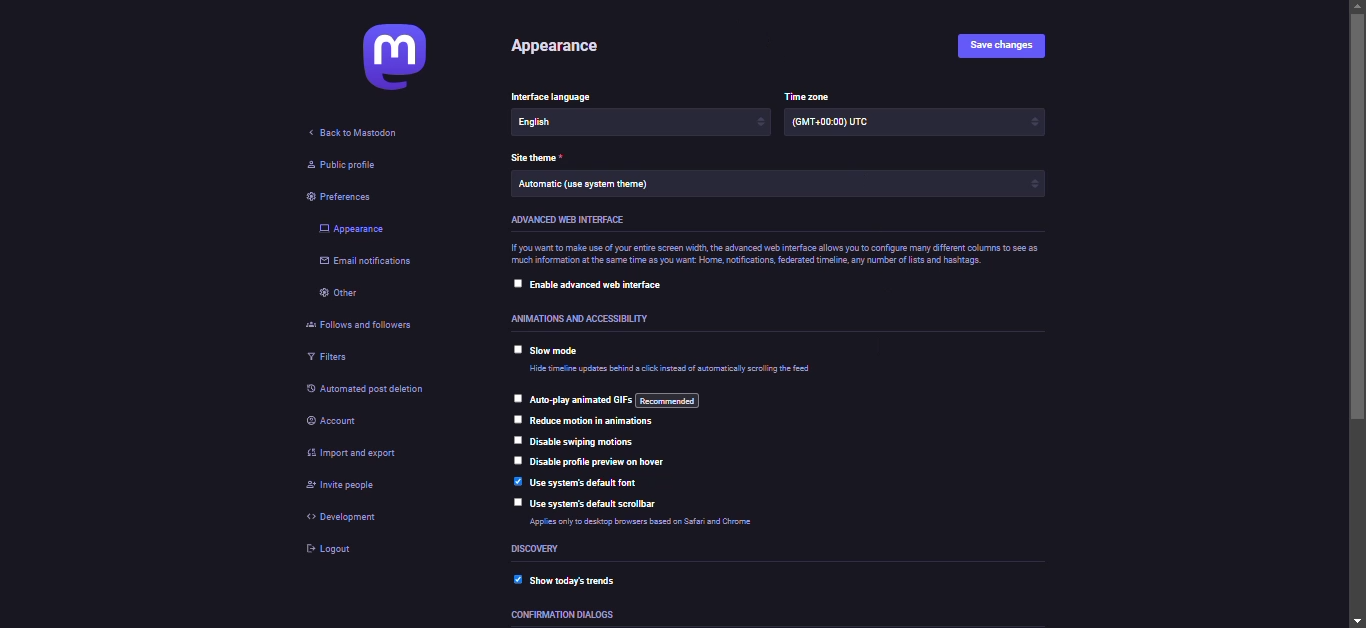  What do you see at coordinates (607, 462) in the screenshot?
I see `disable profile preview on hover` at bounding box center [607, 462].